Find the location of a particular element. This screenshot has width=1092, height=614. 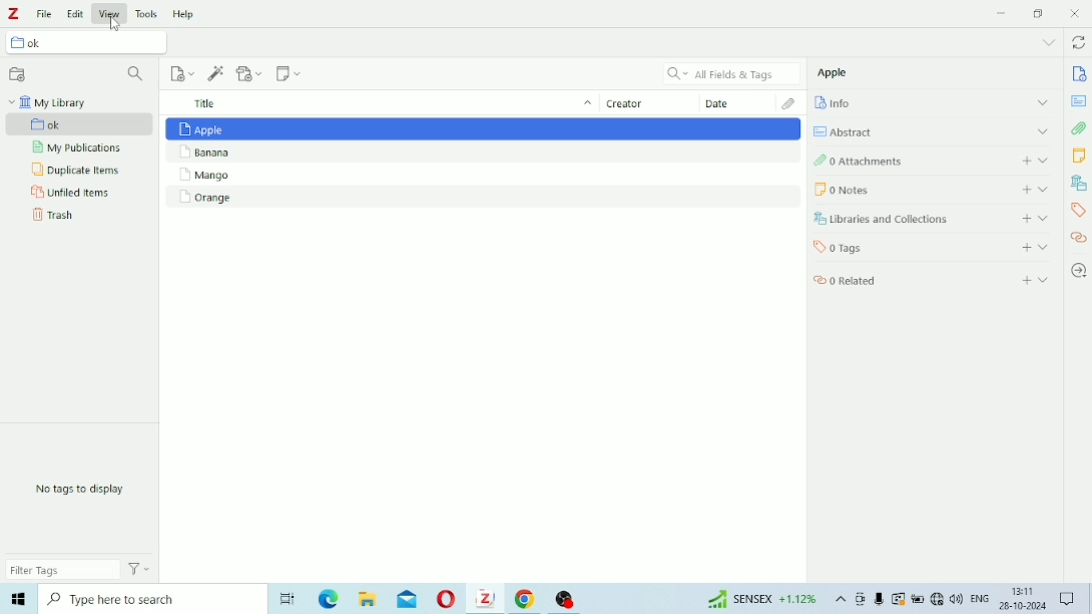

Help is located at coordinates (184, 11).